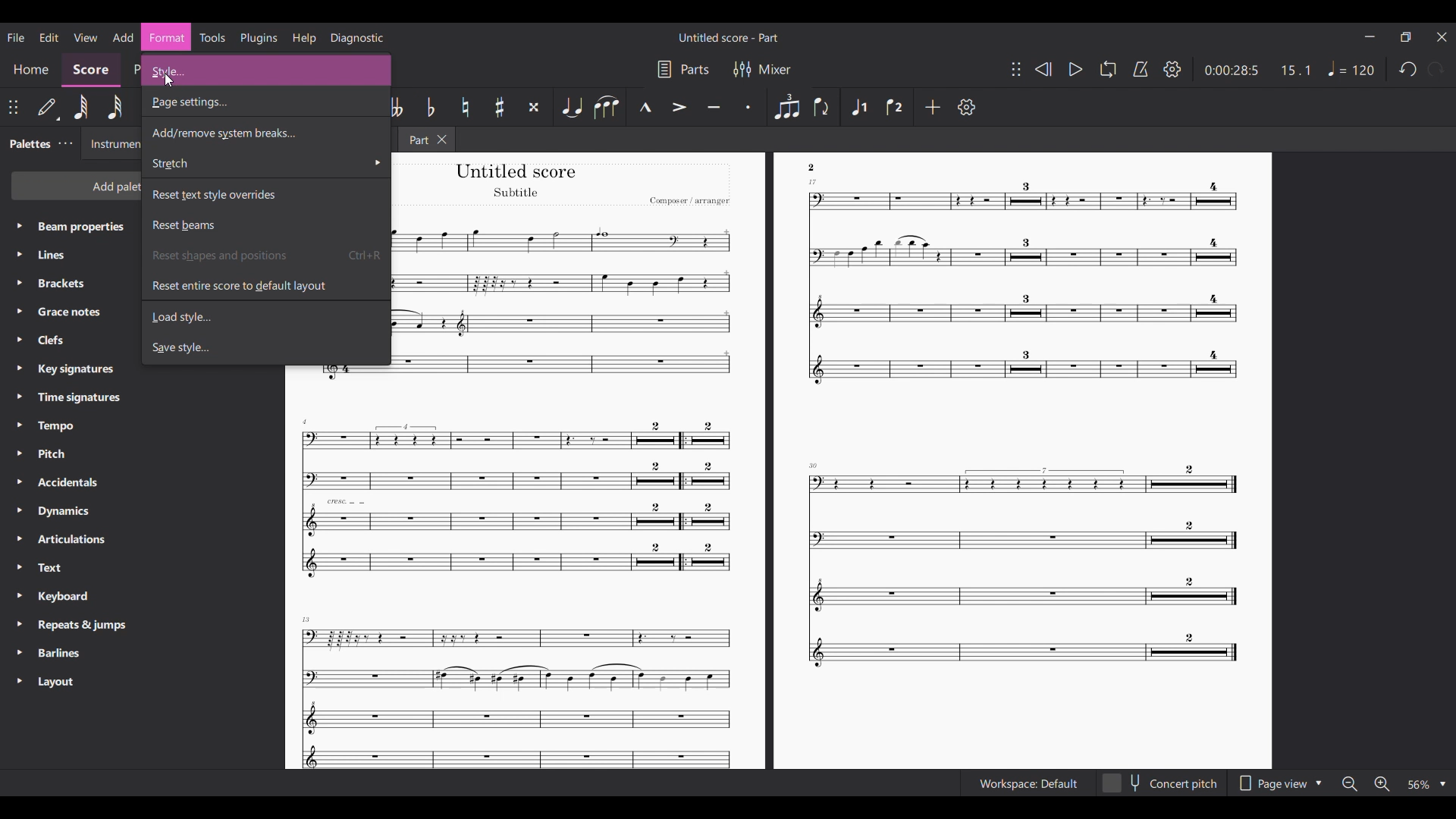 Image resolution: width=1456 pixels, height=819 pixels. What do you see at coordinates (816, 168) in the screenshot?
I see `` at bounding box center [816, 168].